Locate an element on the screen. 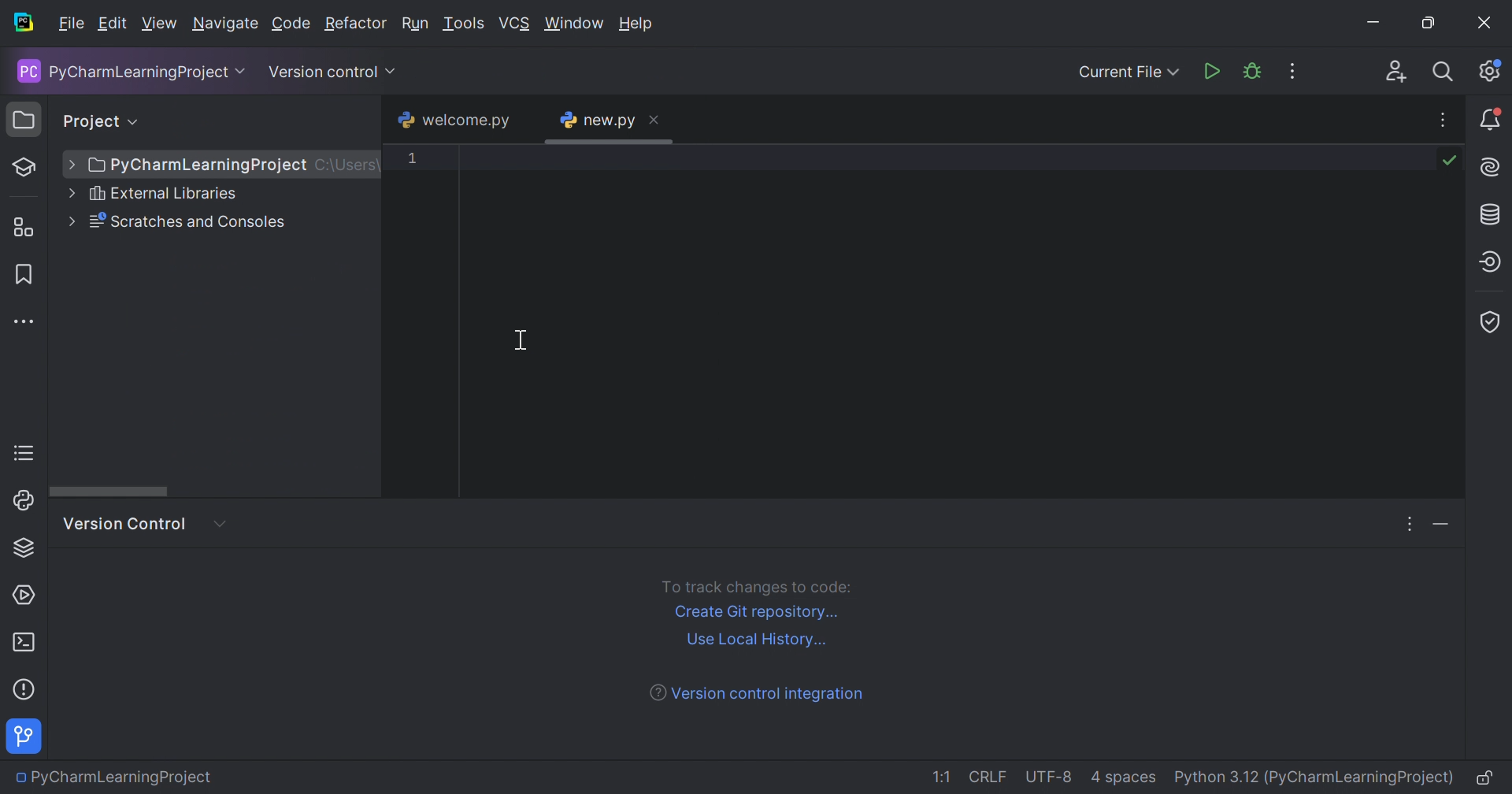  Close is located at coordinates (1482, 21).